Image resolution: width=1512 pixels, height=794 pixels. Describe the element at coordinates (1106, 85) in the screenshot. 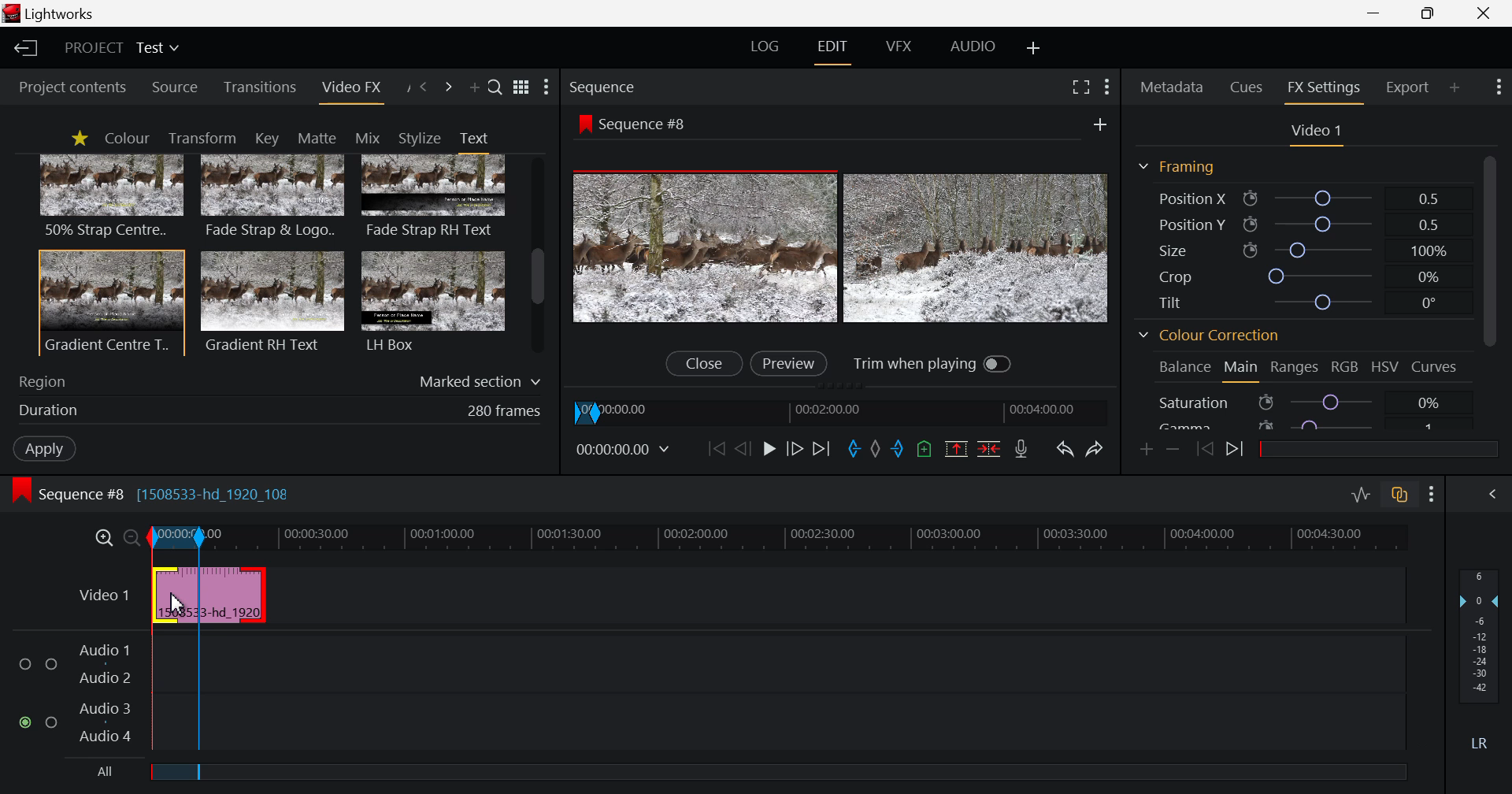

I see `Settings` at that location.